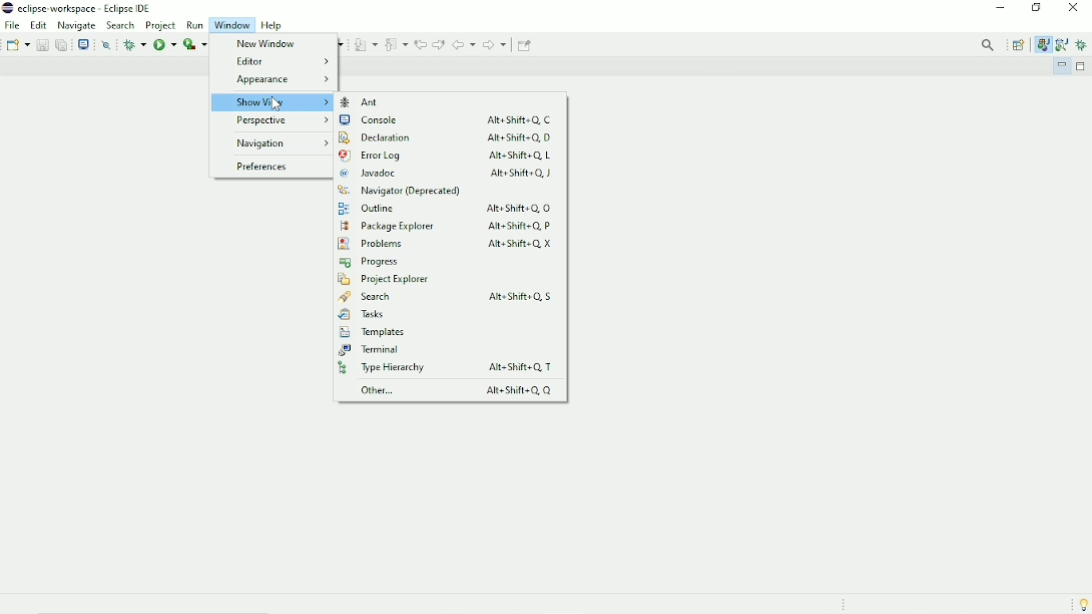 The height and width of the screenshot is (614, 1092). I want to click on Package Explorer, so click(450, 225).